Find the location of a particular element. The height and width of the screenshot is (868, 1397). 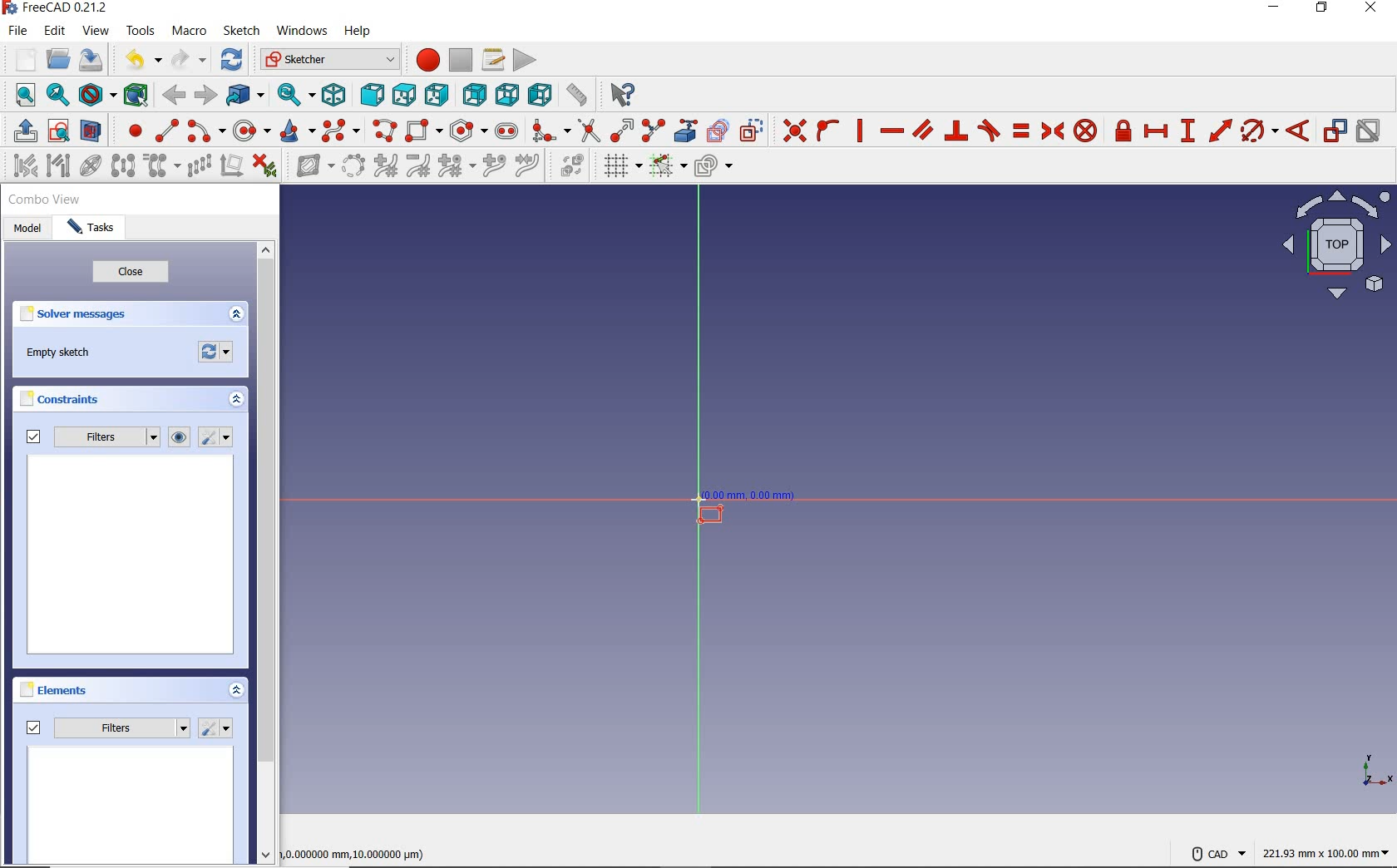

stop macro recording is located at coordinates (461, 61).